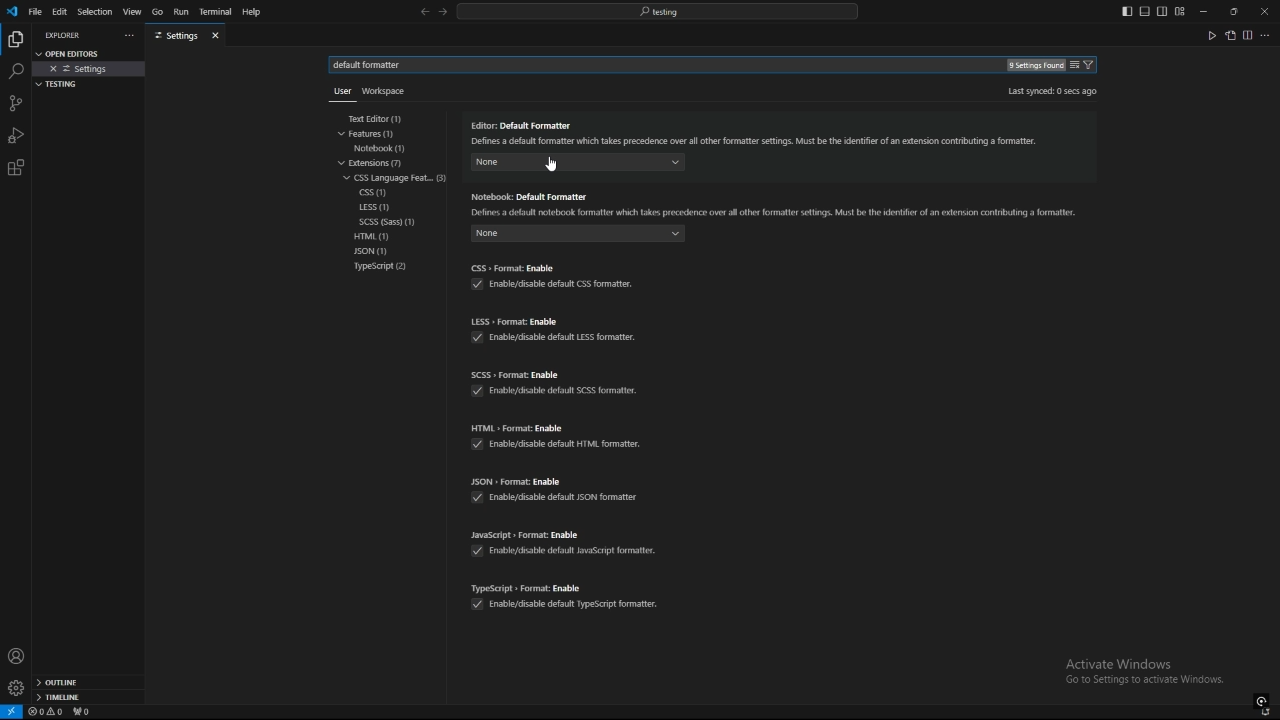  Describe the element at coordinates (571, 549) in the screenshot. I see `enable /disable default javascript formatter` at that location.